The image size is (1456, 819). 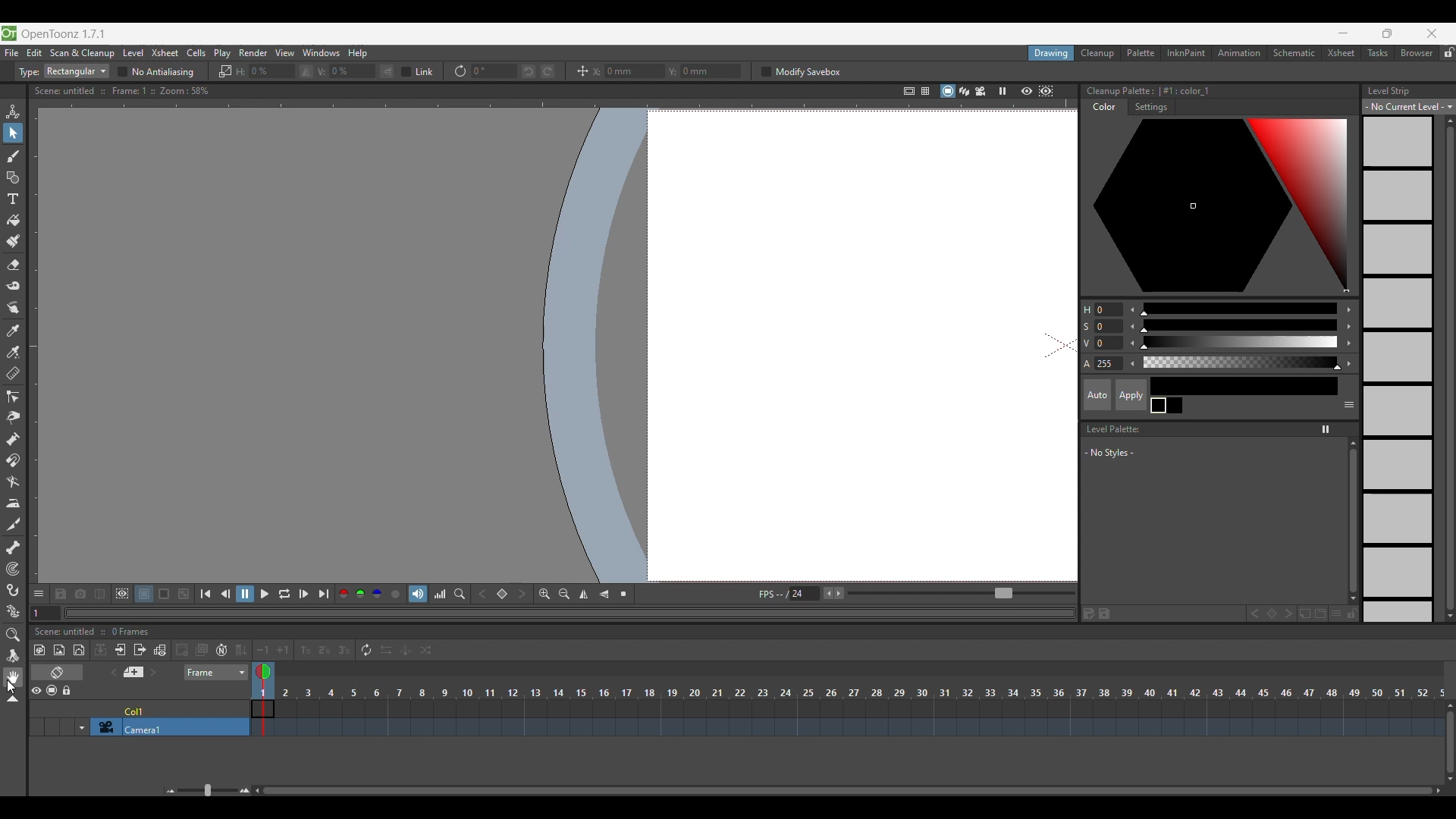 I want to click on Position, so click(x=582, y=71).